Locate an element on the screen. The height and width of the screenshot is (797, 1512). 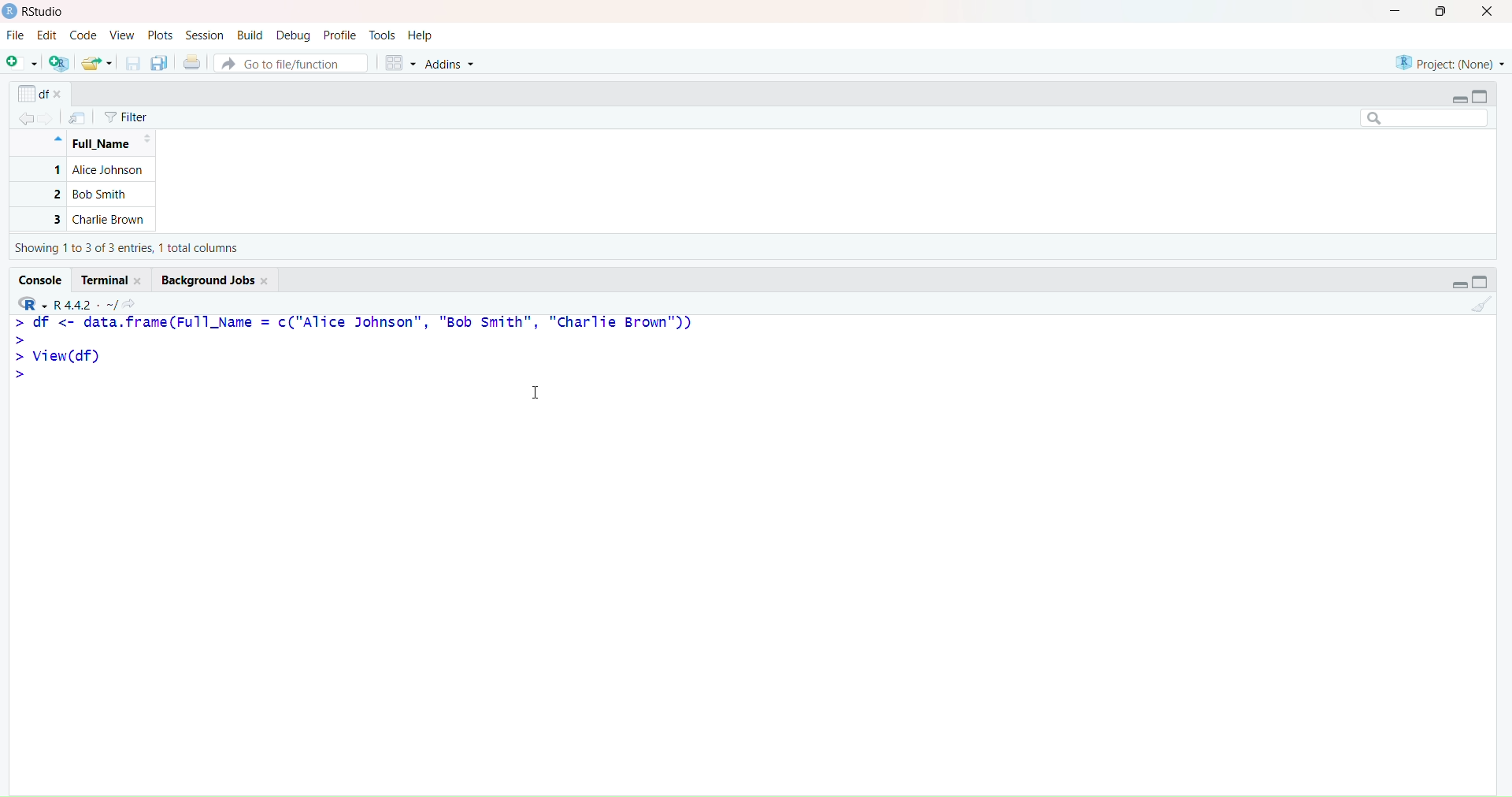
Debug is located at coordinates (293, 35).